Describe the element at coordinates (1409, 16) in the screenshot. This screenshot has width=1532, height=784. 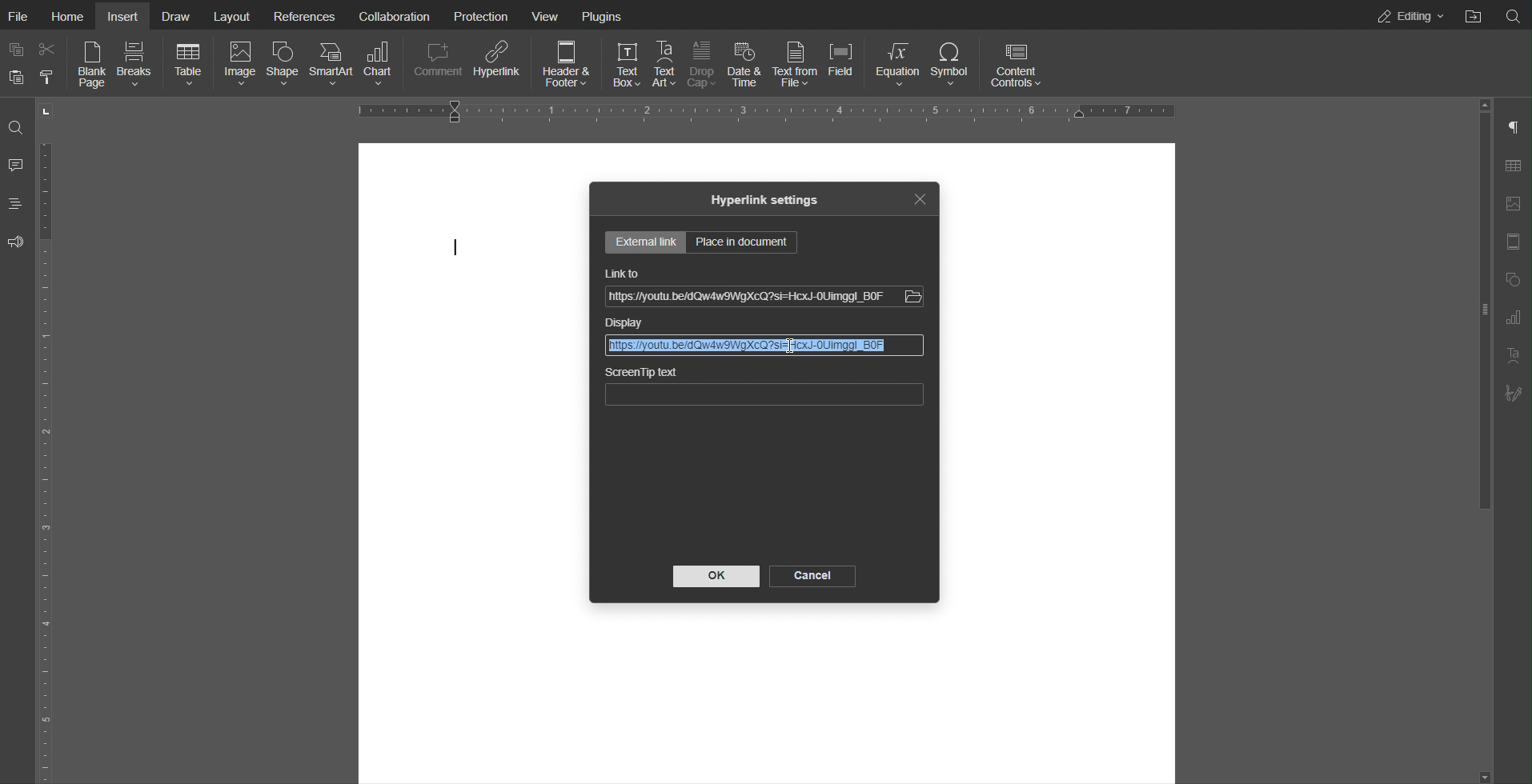
I see `Editing` at that location.